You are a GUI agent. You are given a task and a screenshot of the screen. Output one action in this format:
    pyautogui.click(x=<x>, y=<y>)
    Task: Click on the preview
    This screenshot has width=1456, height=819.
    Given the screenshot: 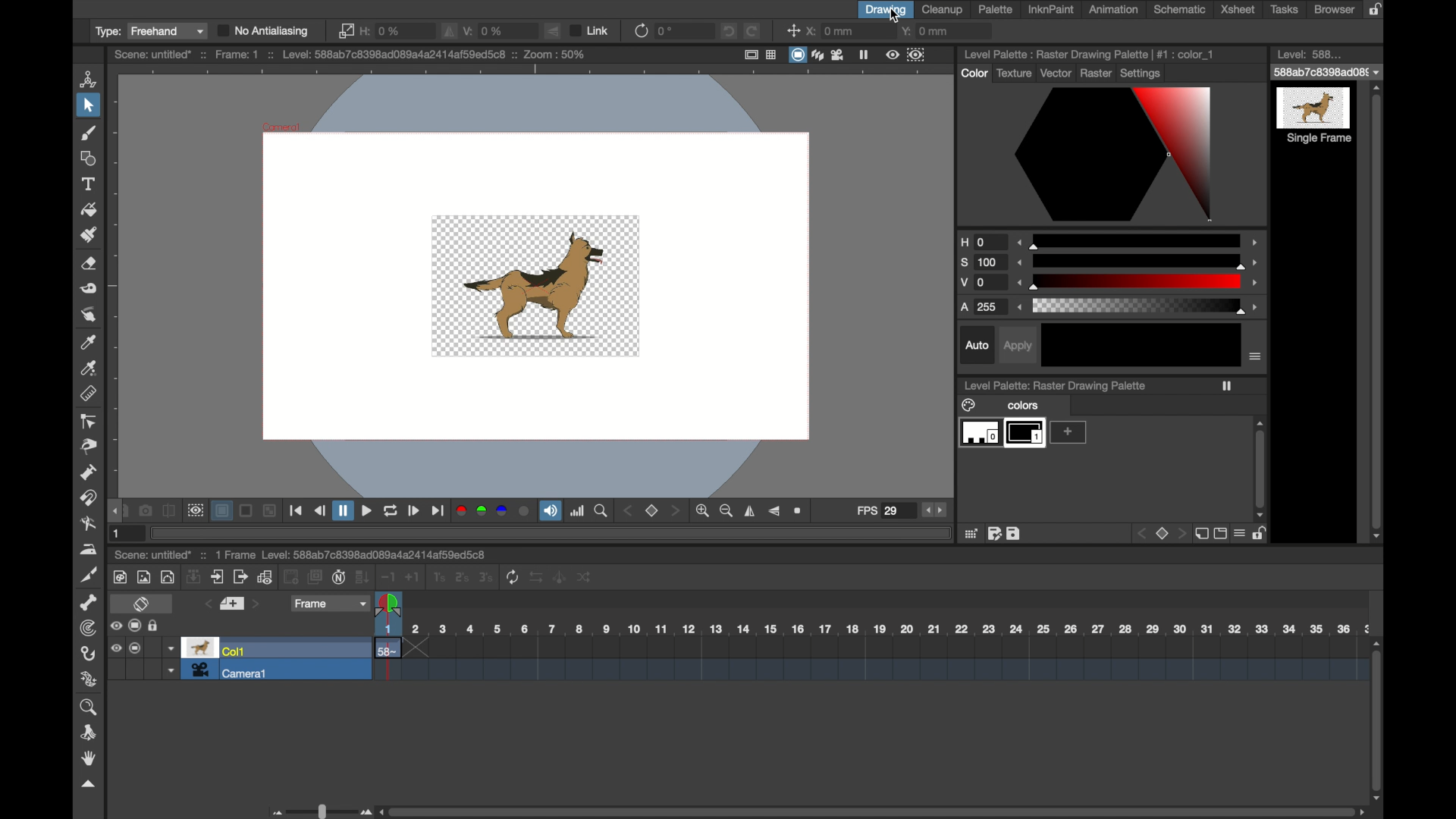 What is the action you would take?
    pyautogui.click(x=904, y=54)
    